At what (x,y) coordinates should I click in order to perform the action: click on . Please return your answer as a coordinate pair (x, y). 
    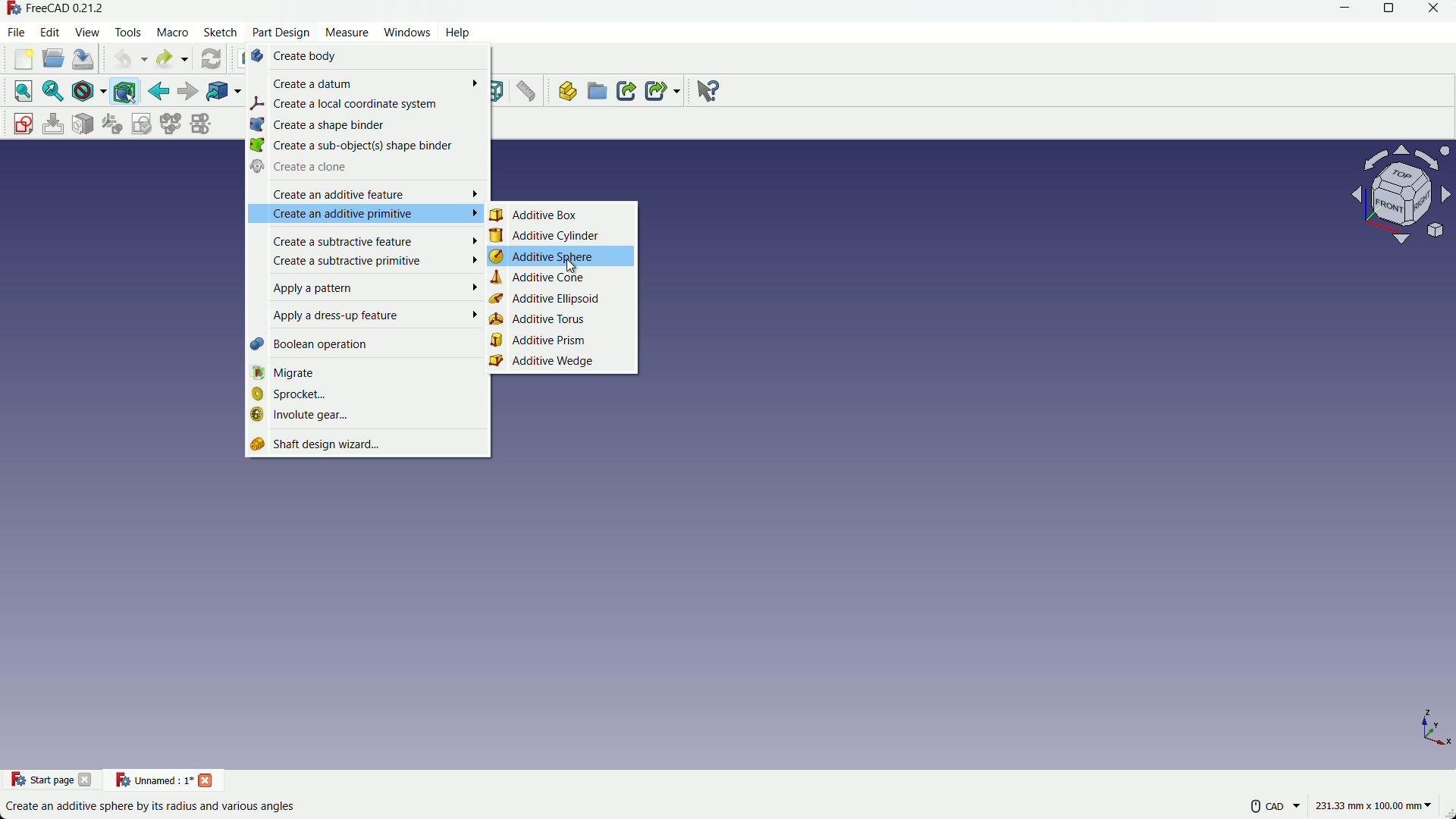
    Looking at the image, I should click on (529, 92).